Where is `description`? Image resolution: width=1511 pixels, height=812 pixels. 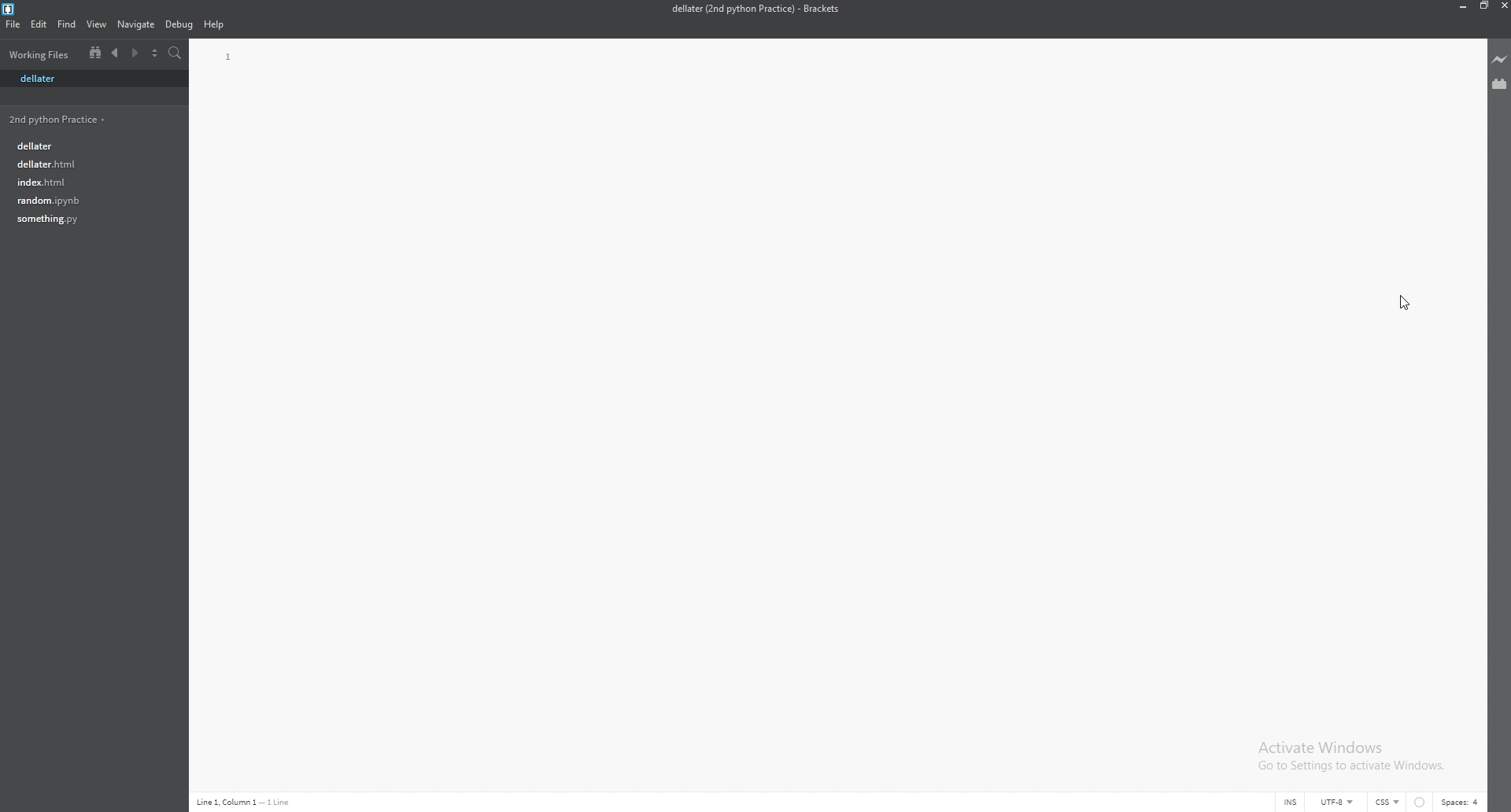 description is located at coordinates (246, 802).